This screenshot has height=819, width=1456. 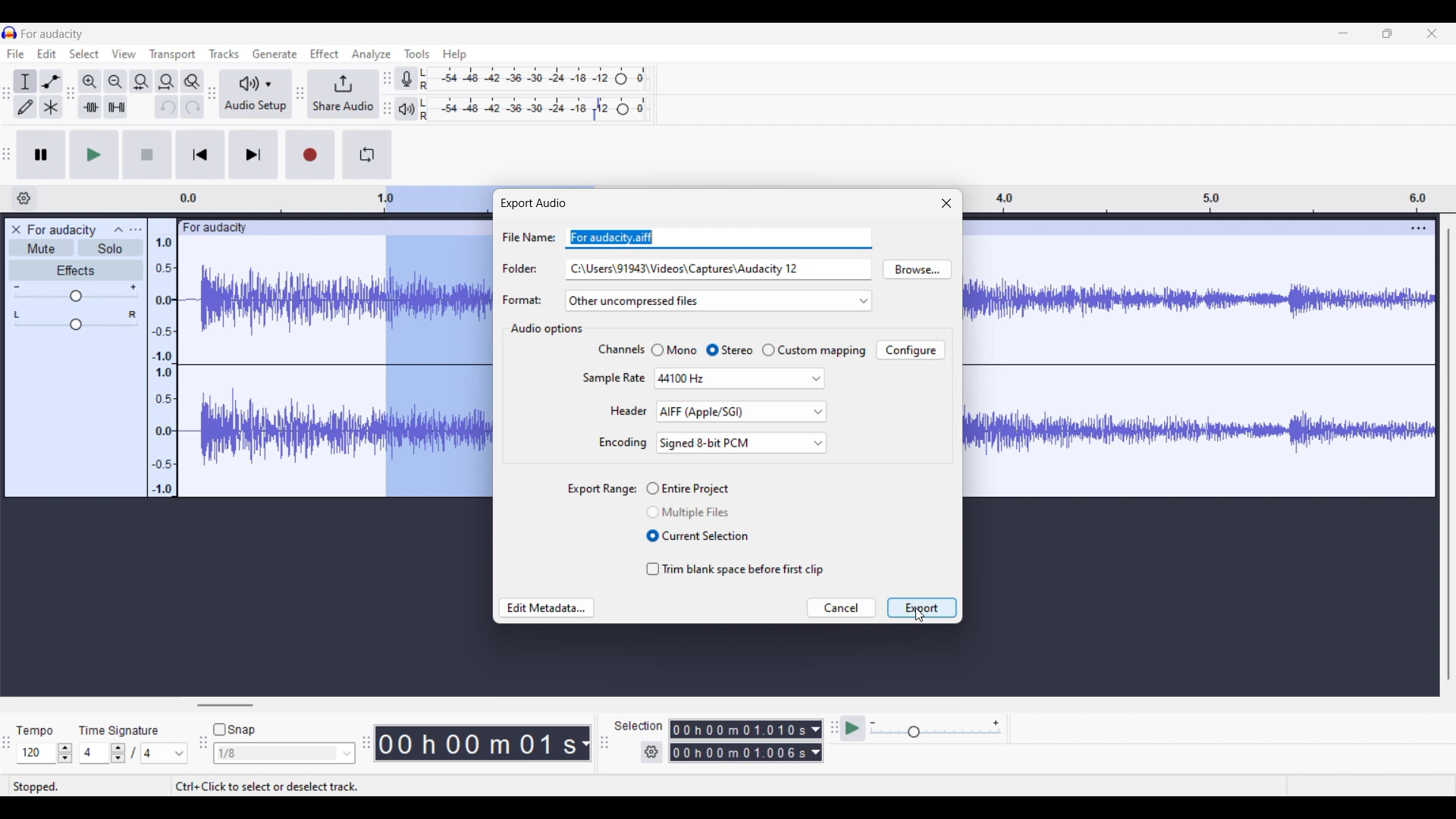 What do you see at coordinates (1419, 228) in the screenshot?
I see `Track settings` at bounding box center [1419, 228].